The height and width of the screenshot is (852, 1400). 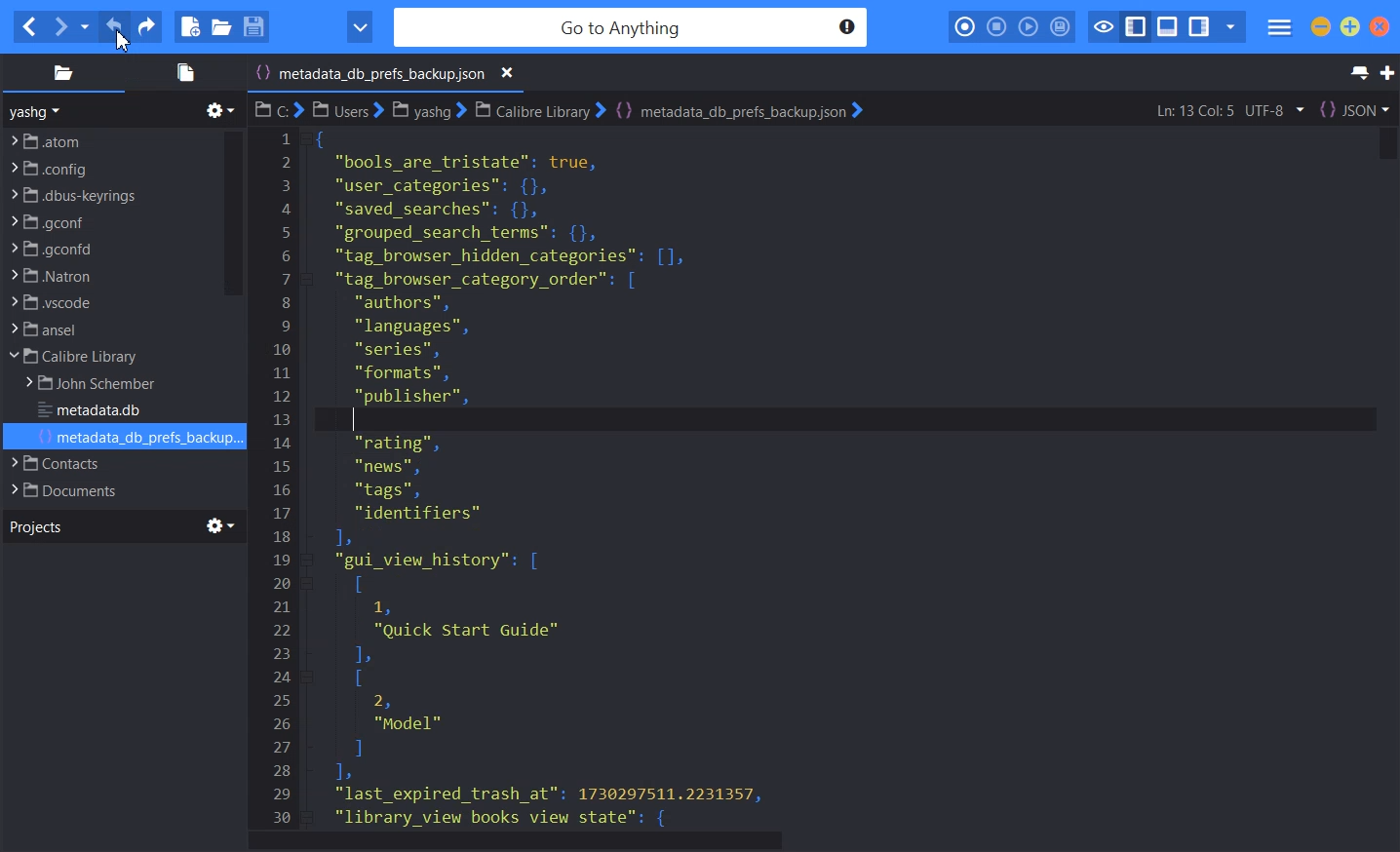 What do you see at coordinates (1354, 109) in the screenshot?
I see `JSON` at bounding box center [1354, 109].